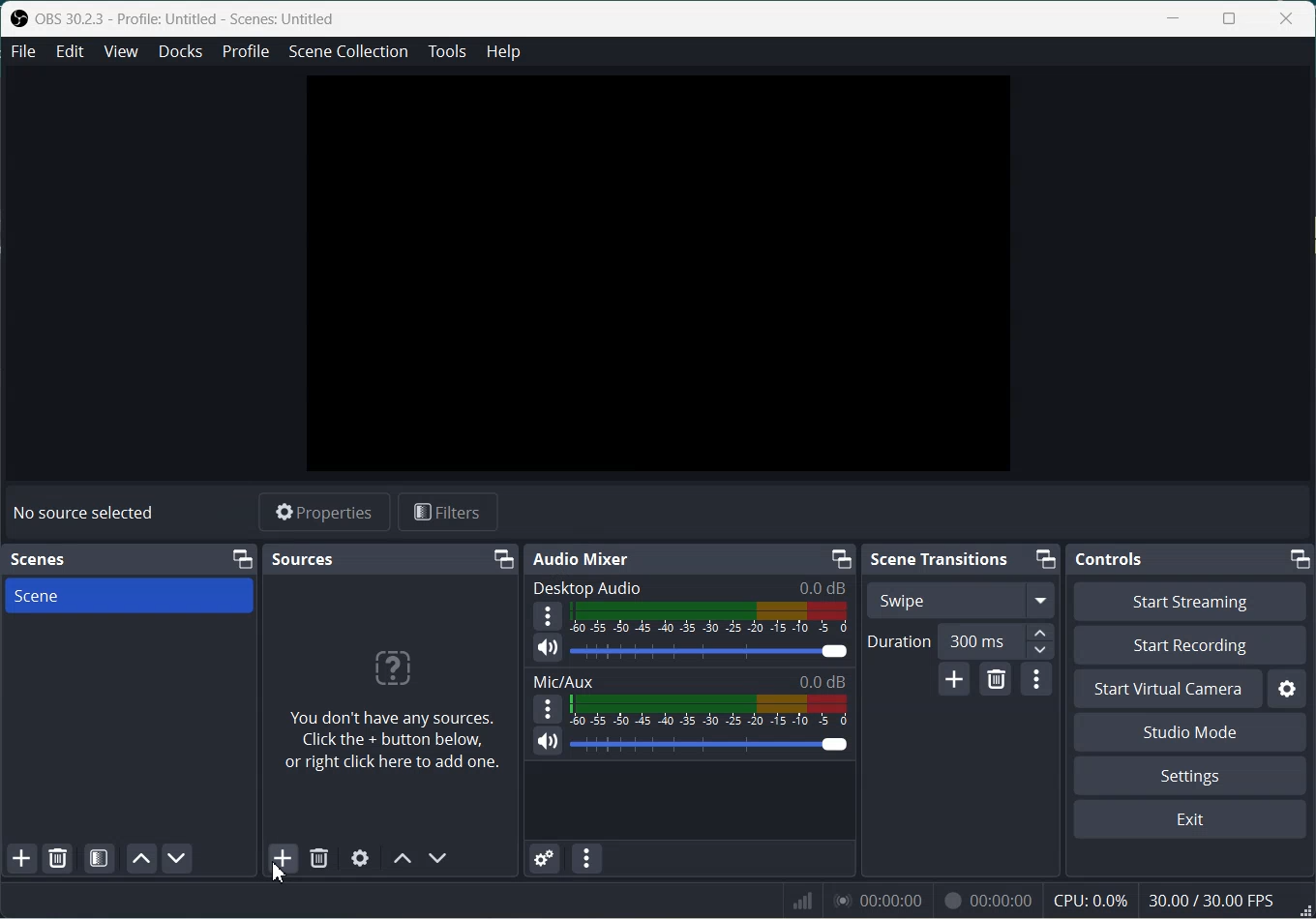  What do you see at coordinates (997, 682) in the screenshot?
I see `Remove configurable transition` at bounding box center [997, 682].